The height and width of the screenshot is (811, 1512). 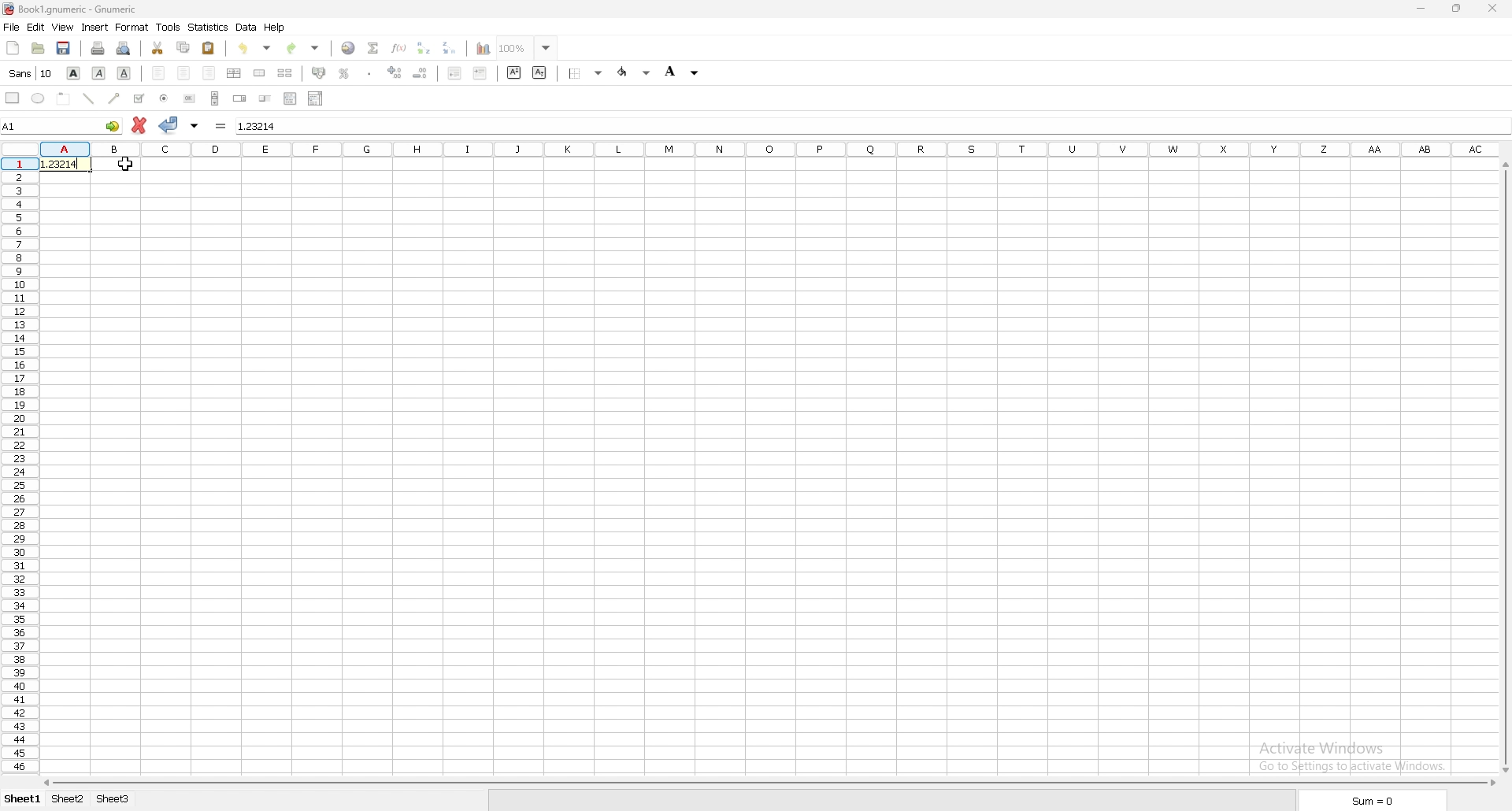 I want to click on sum, so click(x=1374, y=801).